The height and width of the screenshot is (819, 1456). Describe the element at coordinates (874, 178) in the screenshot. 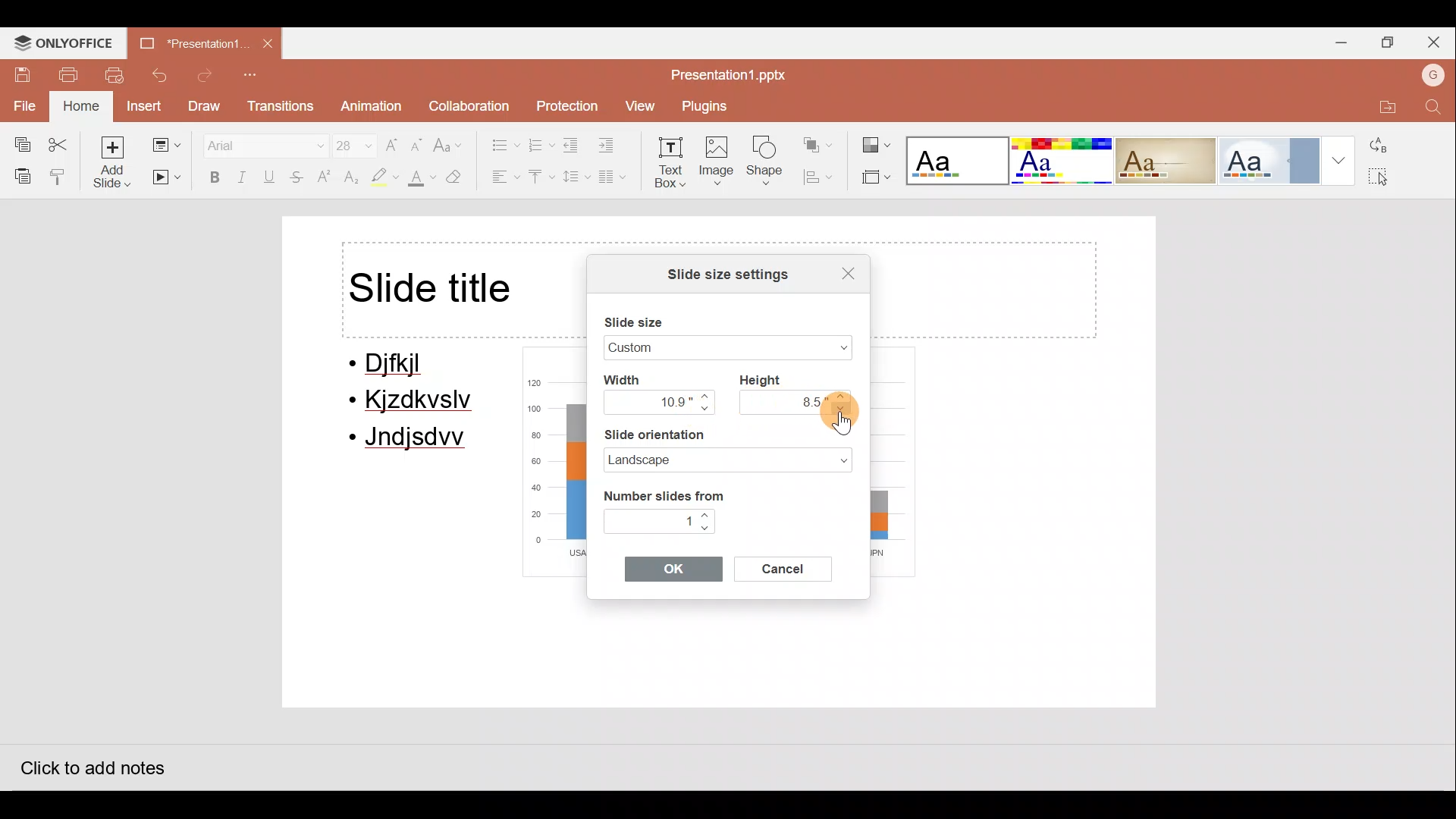

I see `Select slide size` at that location.